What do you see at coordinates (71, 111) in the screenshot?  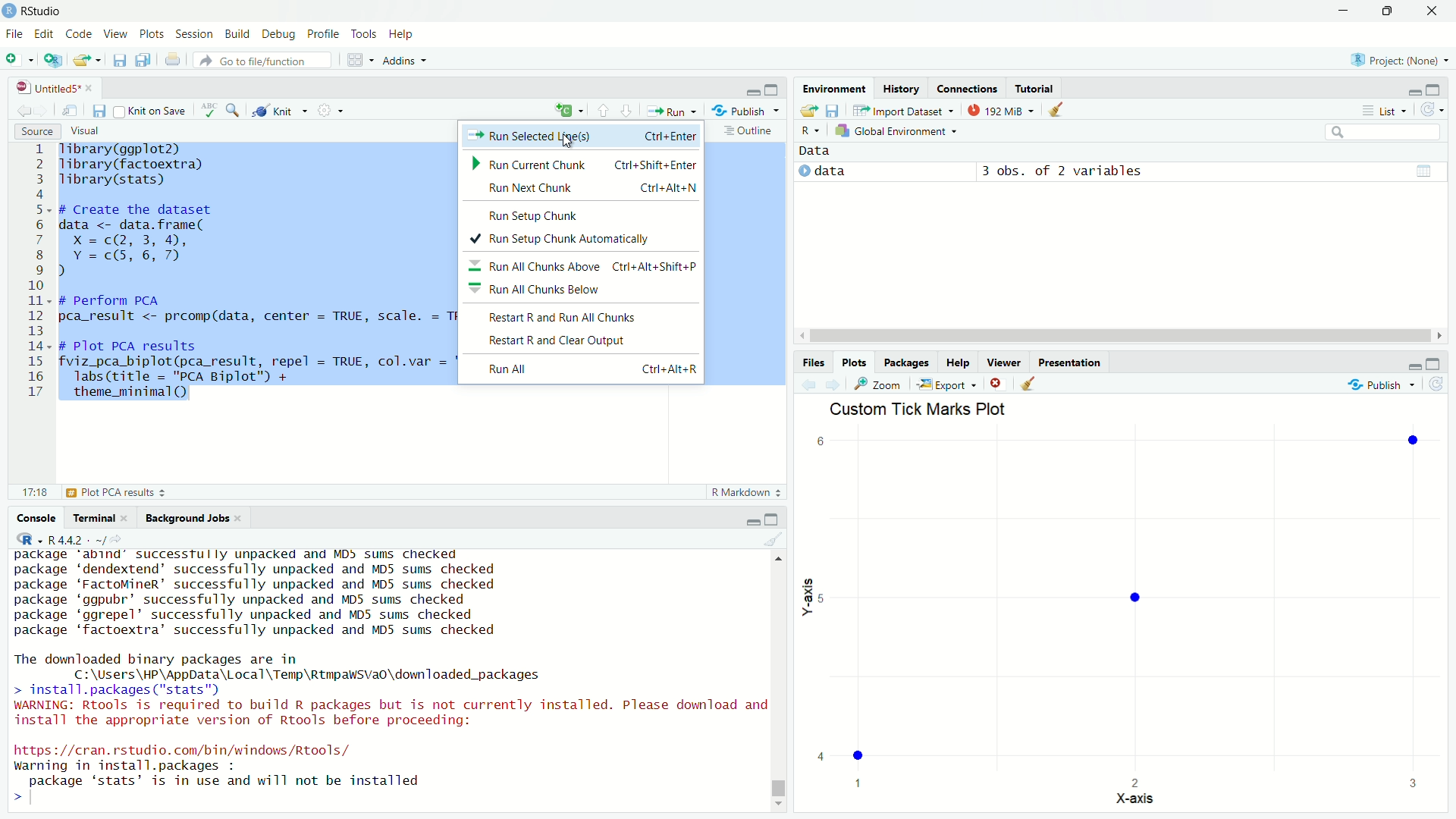 I see `show in new window` at bounding box center [71, 111].